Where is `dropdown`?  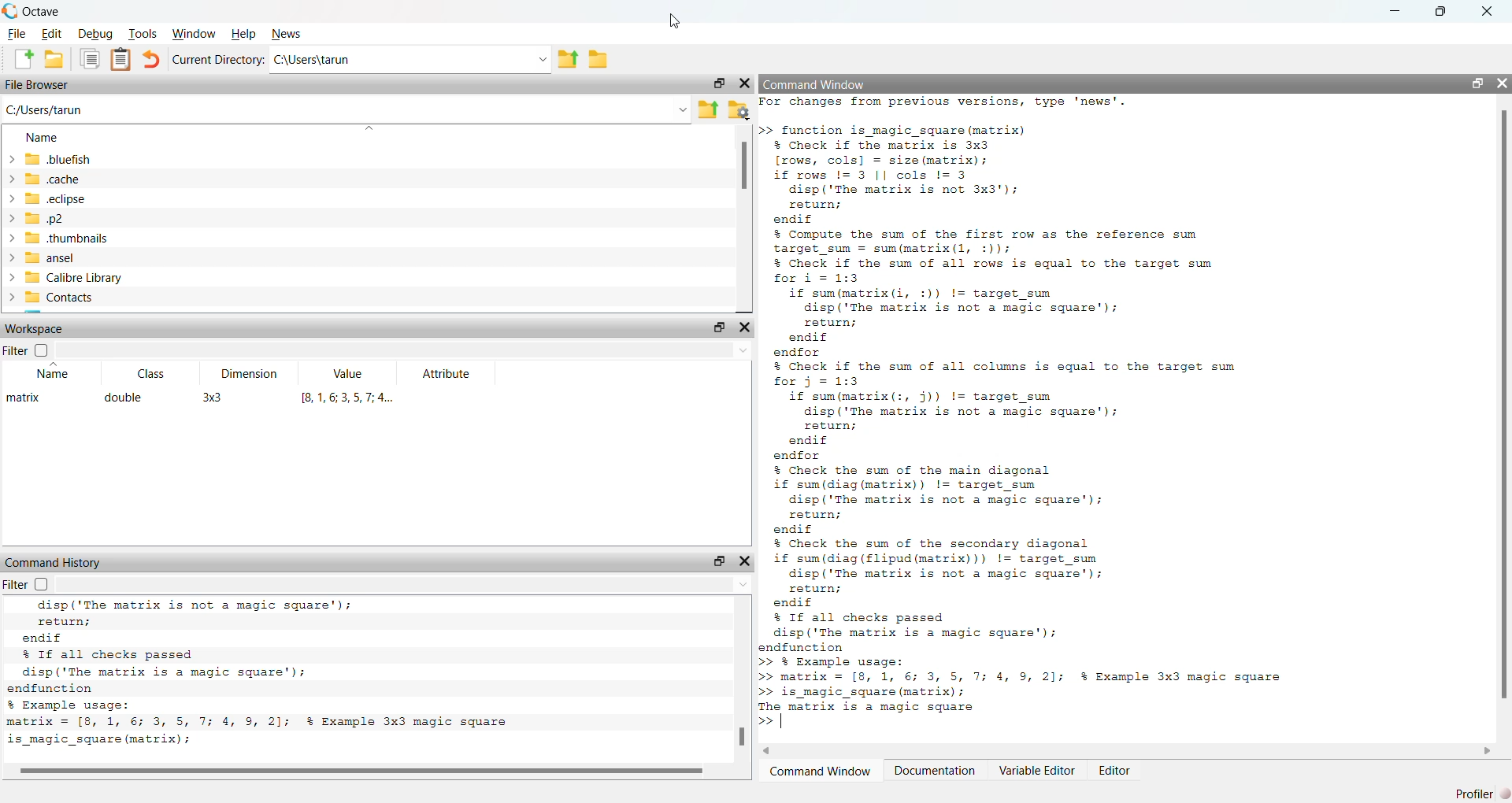 dropdown is located at coordinates (541, 60).